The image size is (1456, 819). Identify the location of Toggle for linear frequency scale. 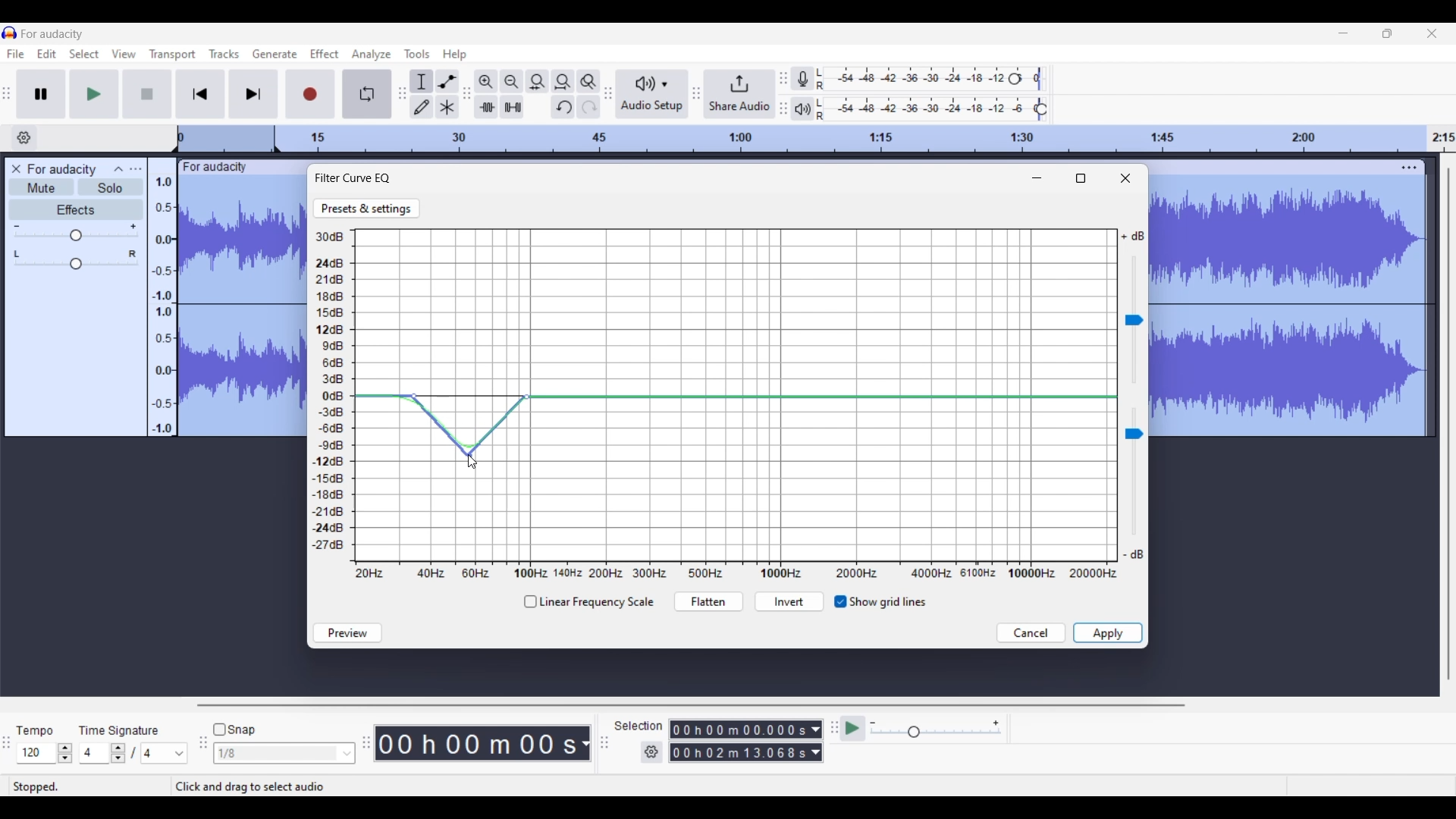
(588, 602).